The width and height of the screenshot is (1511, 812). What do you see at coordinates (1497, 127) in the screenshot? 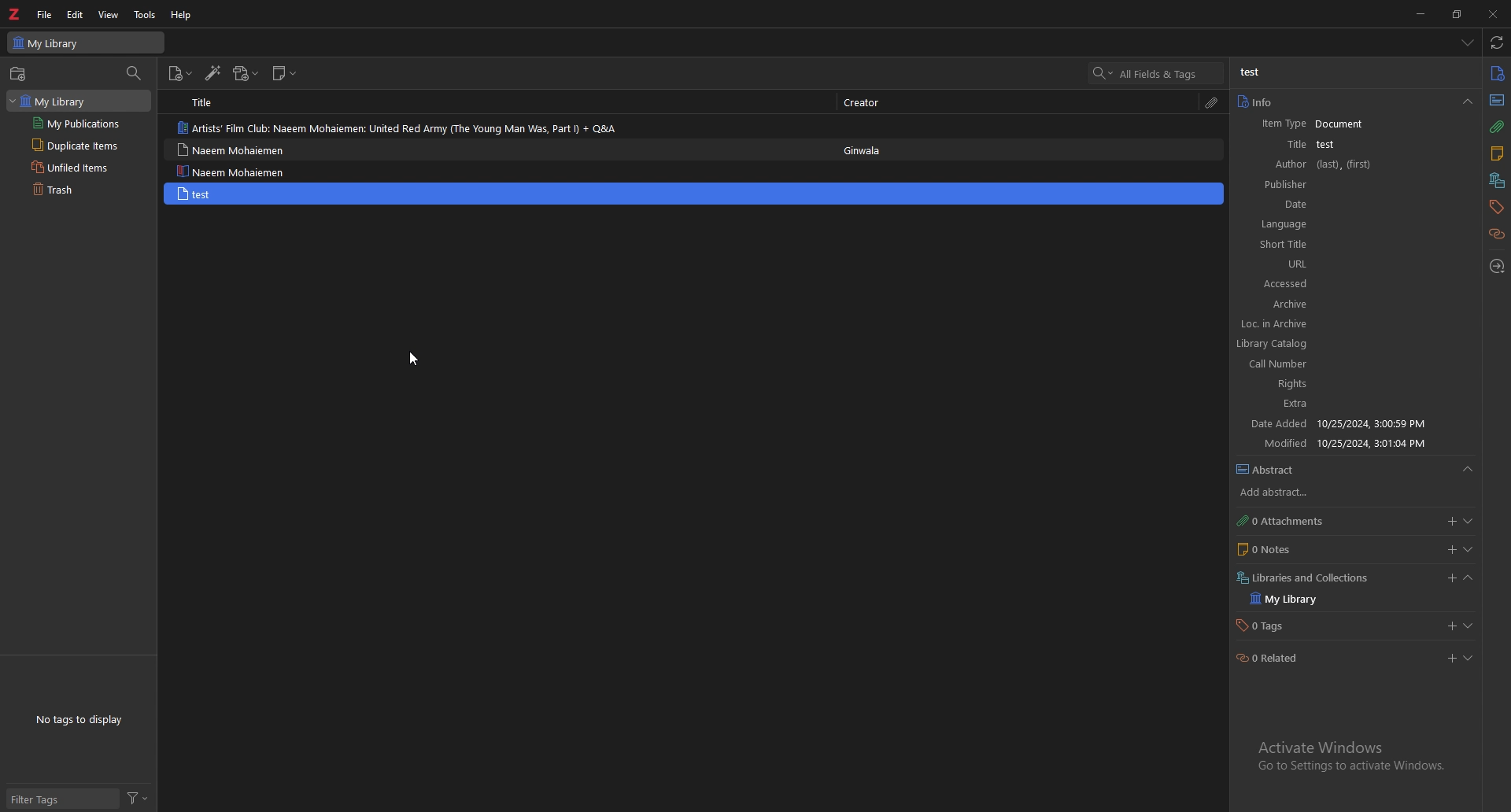
I see `attachments` at bounding box center [1497, 127].